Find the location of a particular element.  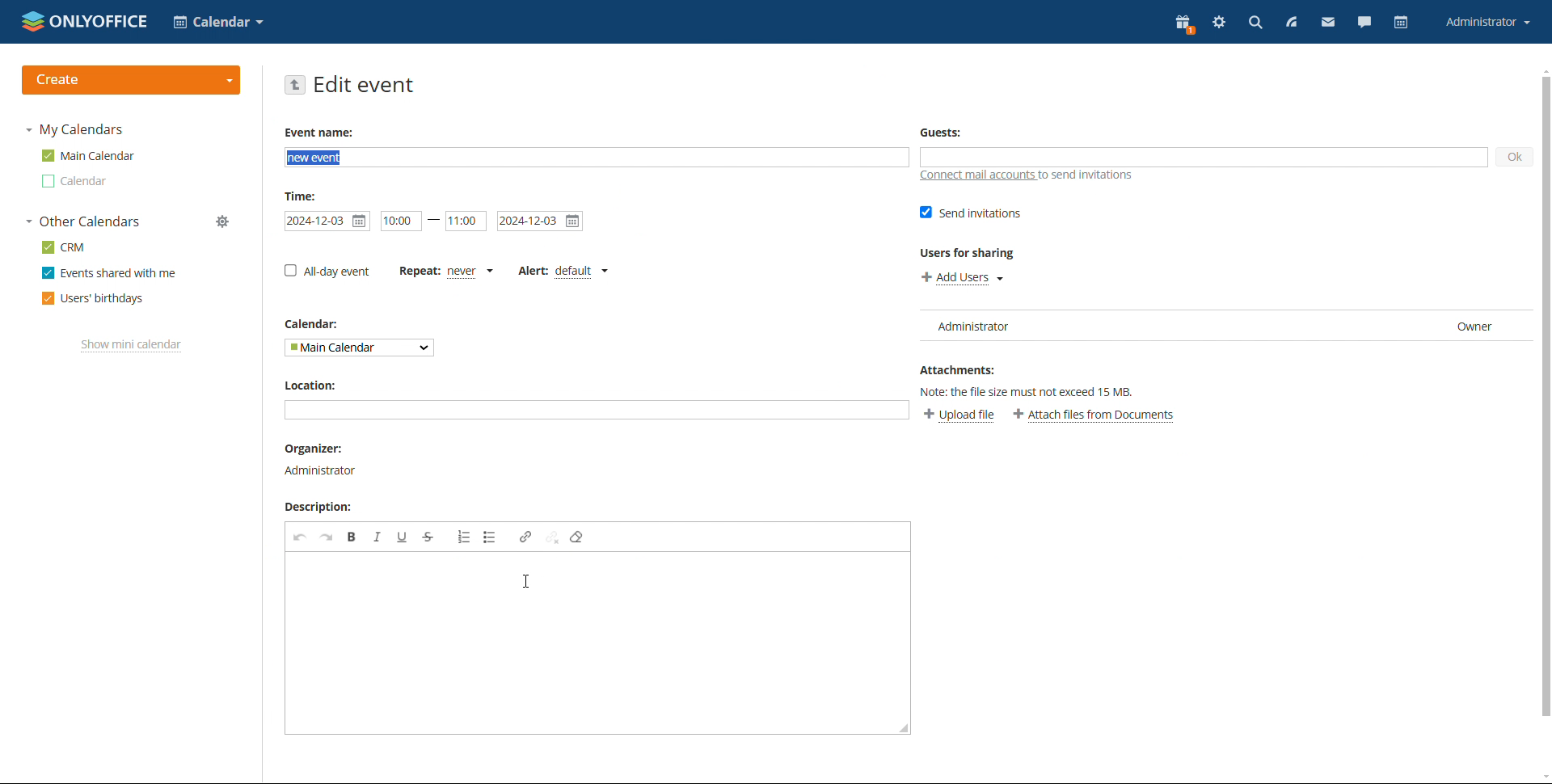

other calendars is located at coordinates (84, 221).